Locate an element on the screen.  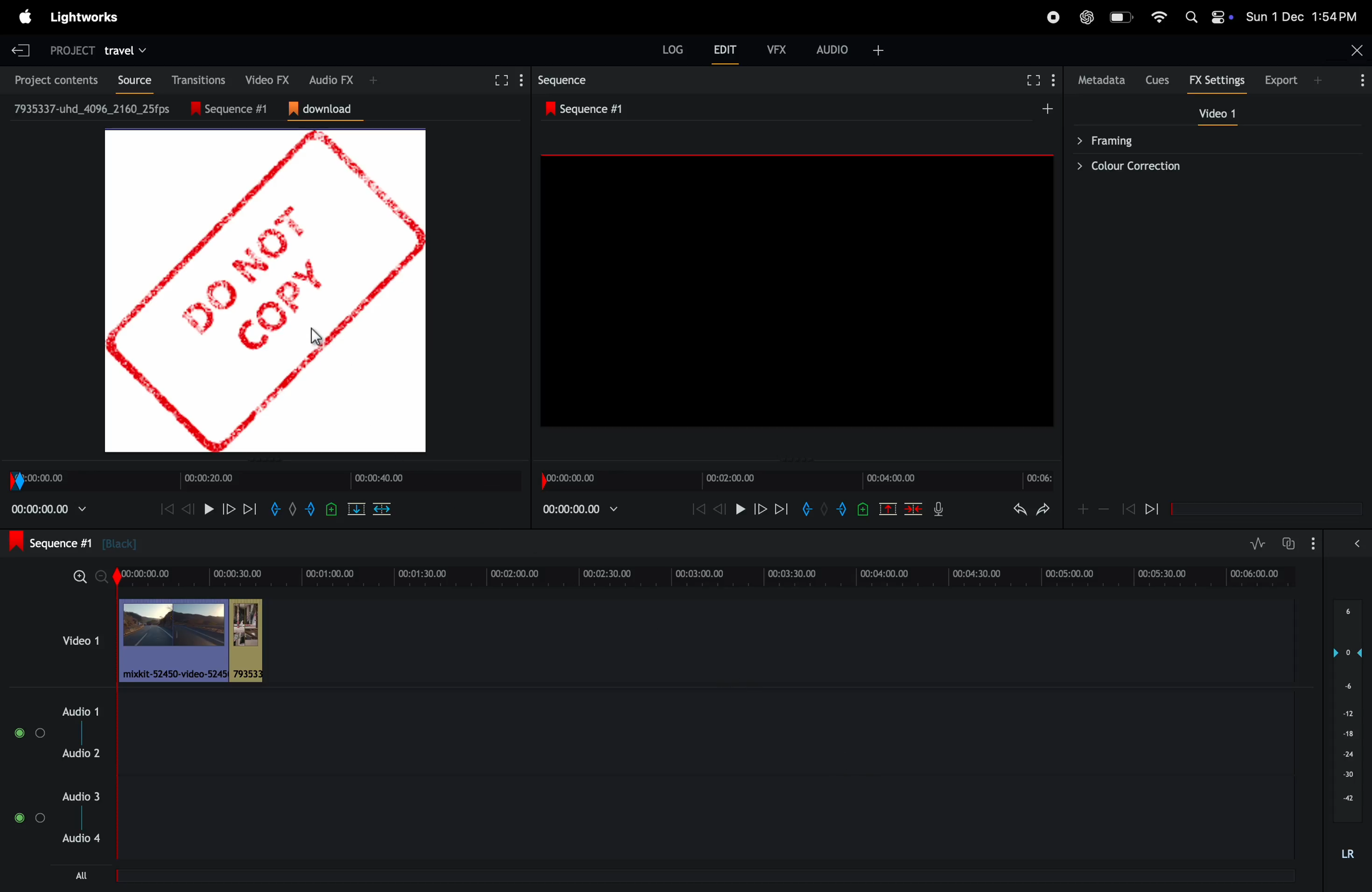
zoom in zoom out is located at coordinates (1104, 508).